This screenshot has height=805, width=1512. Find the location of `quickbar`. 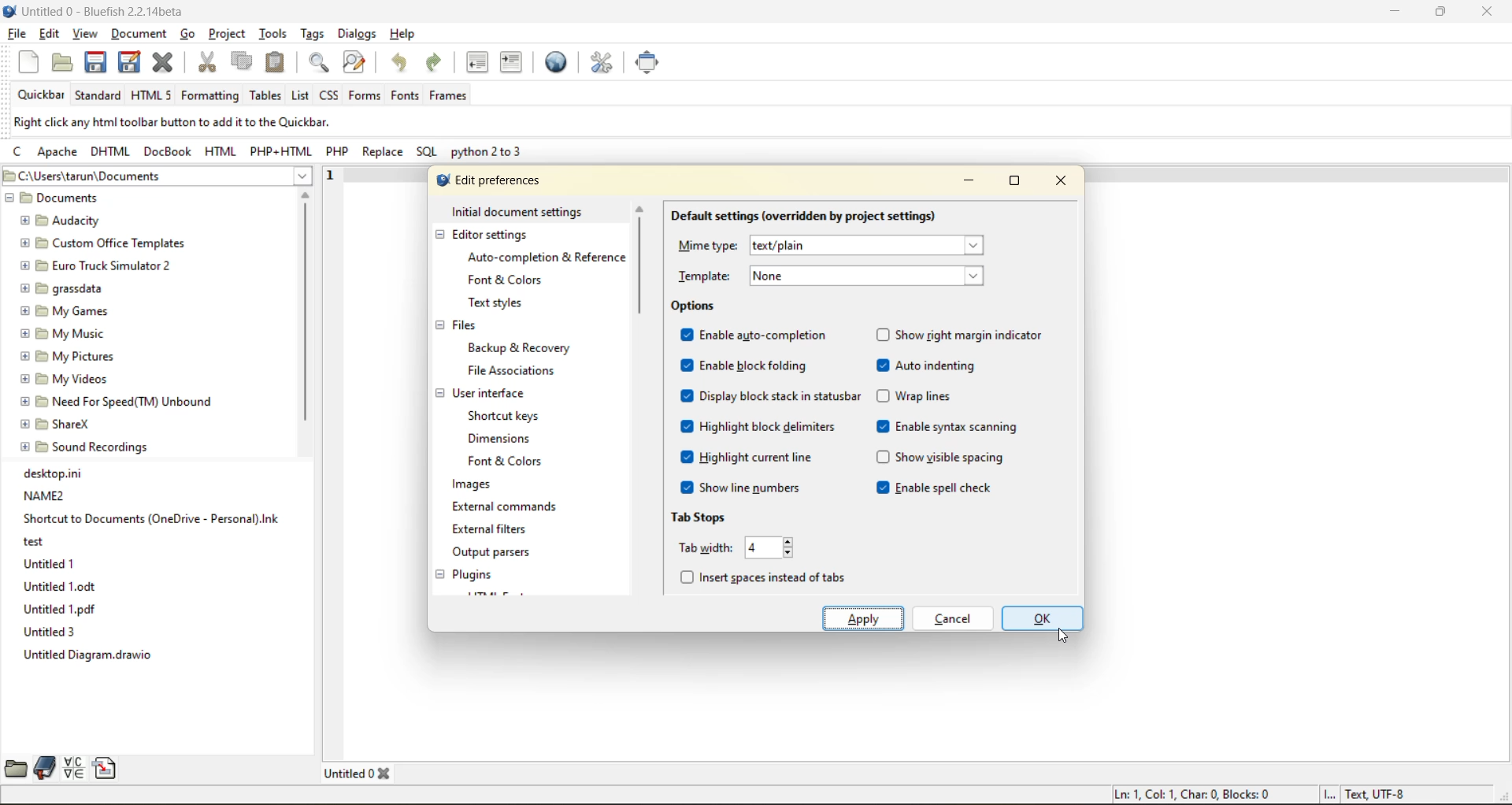

quickbar is located at coordinates (43, 95).